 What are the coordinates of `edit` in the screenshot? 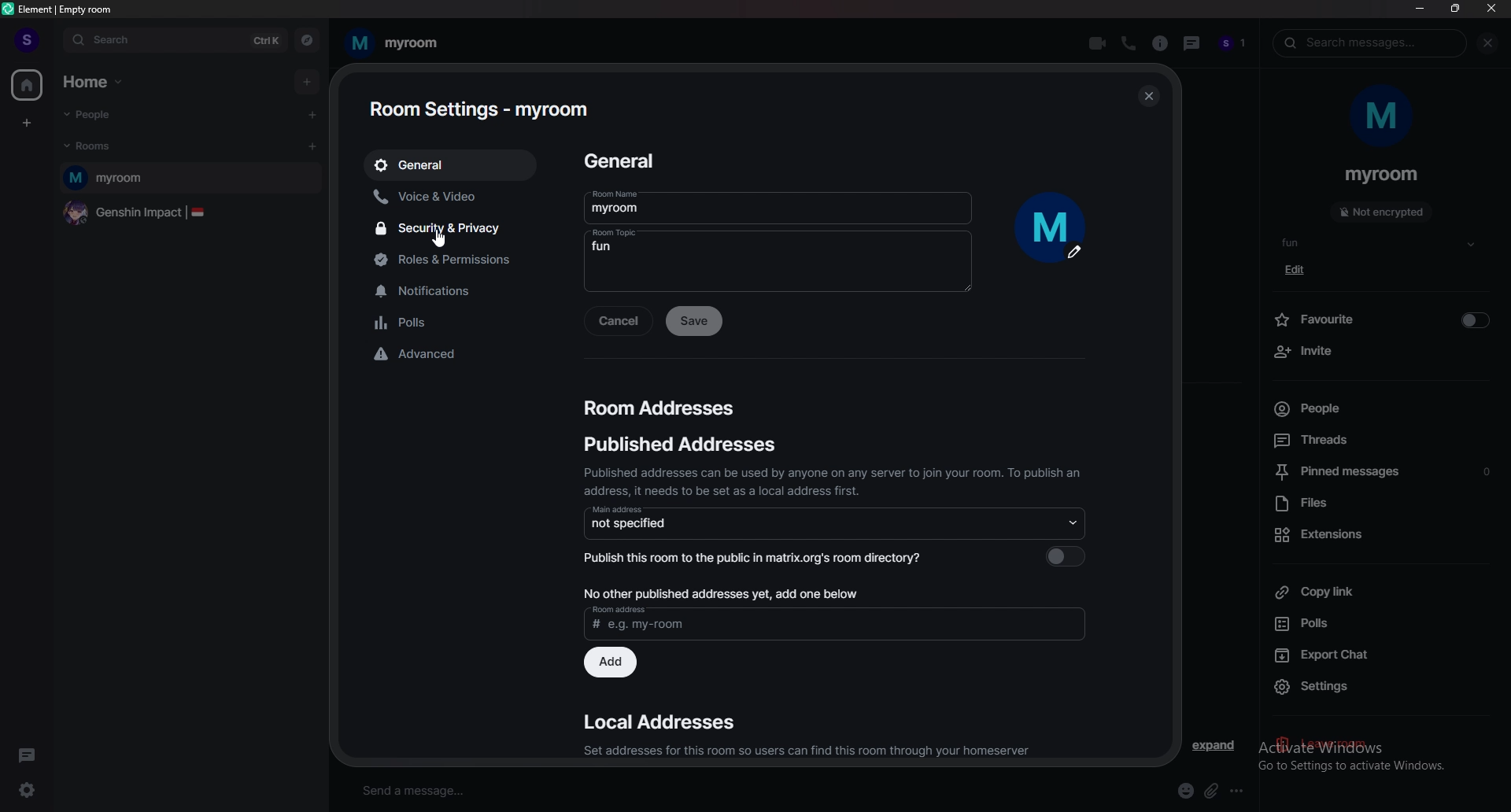 It's located at (1299, 269).